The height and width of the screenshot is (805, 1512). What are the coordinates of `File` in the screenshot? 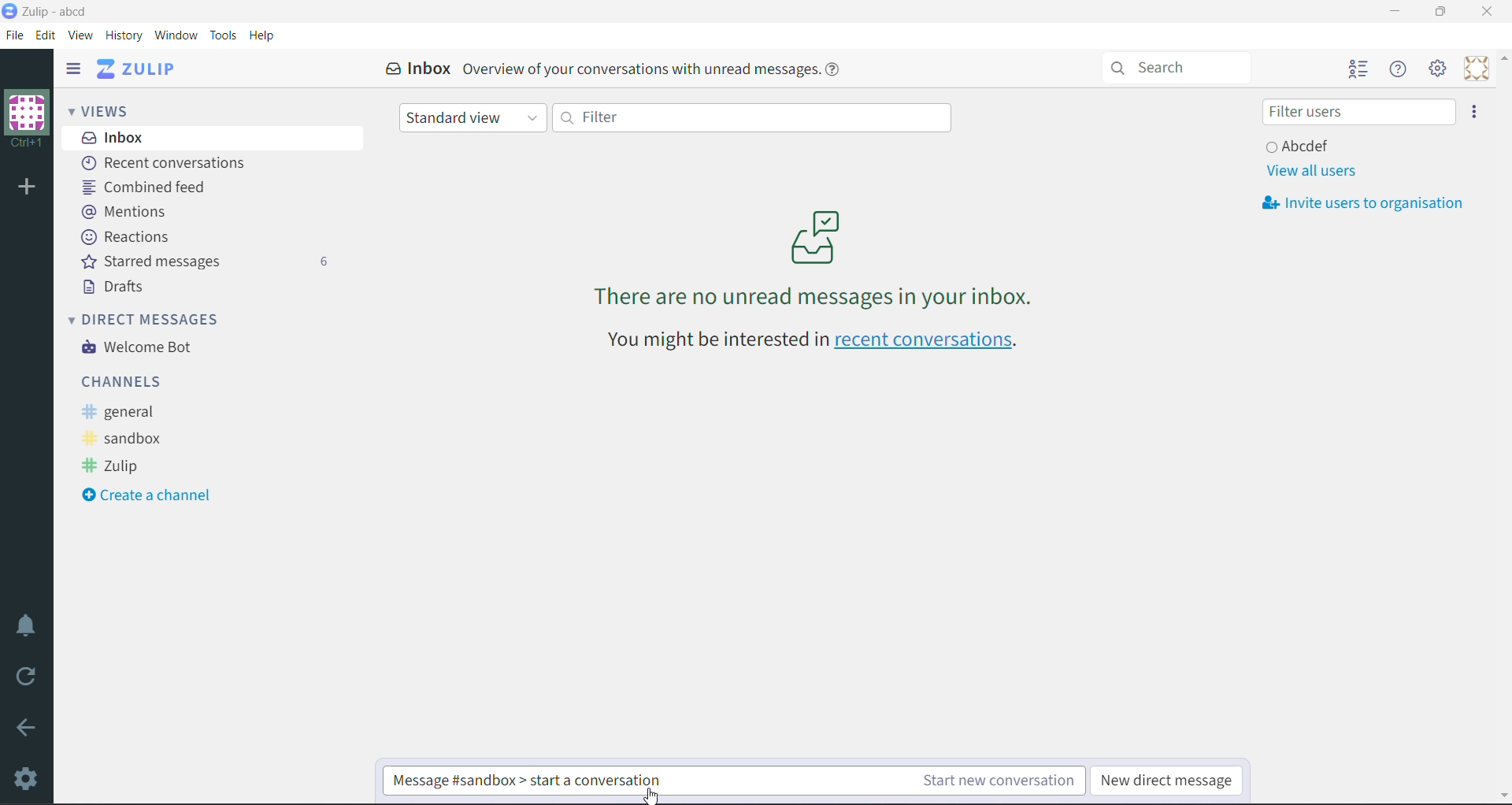 It's located at (15, 35).